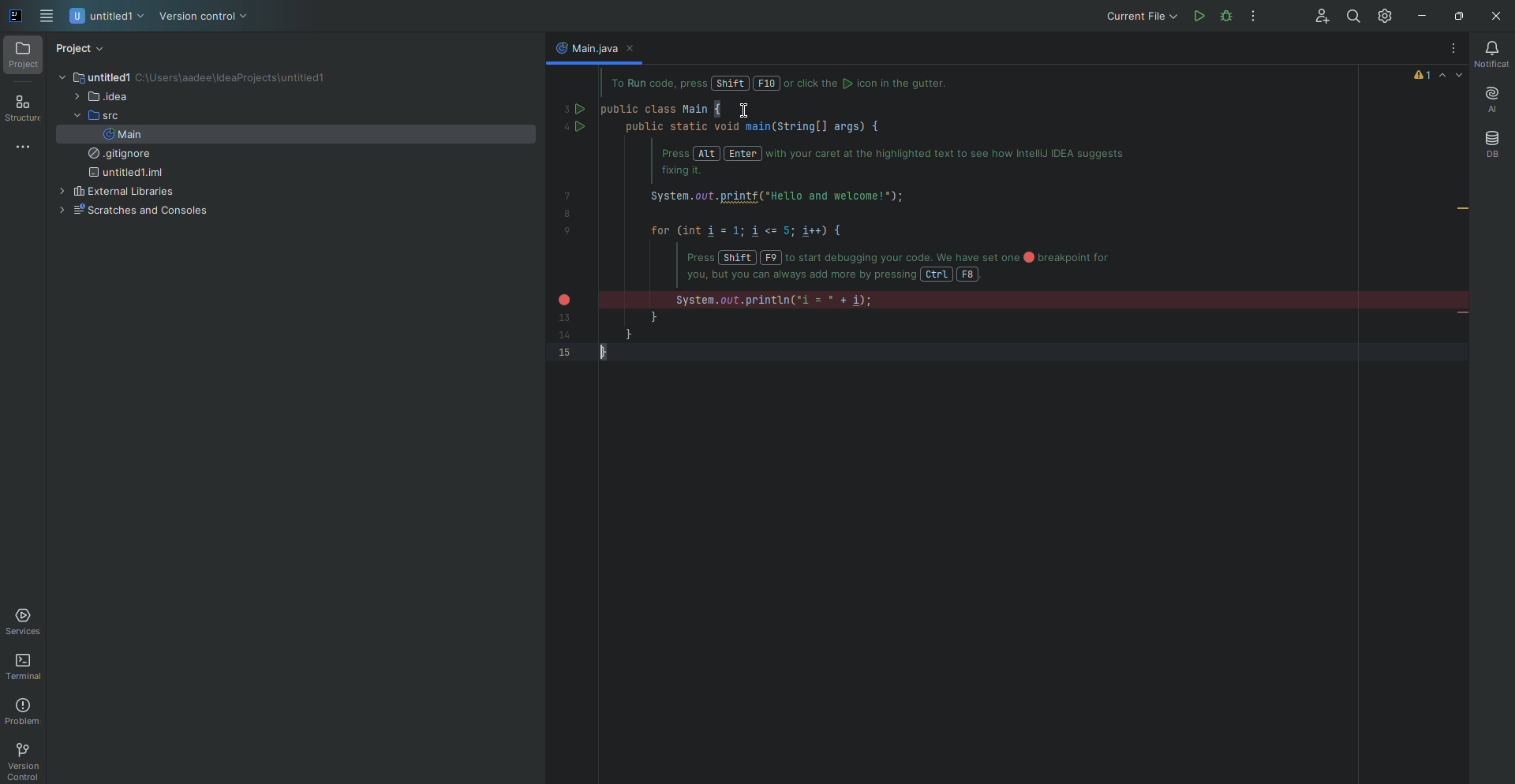  Describe the element at coordinates (571, 227) in the screenshot. I see `line number and icons` at that location.